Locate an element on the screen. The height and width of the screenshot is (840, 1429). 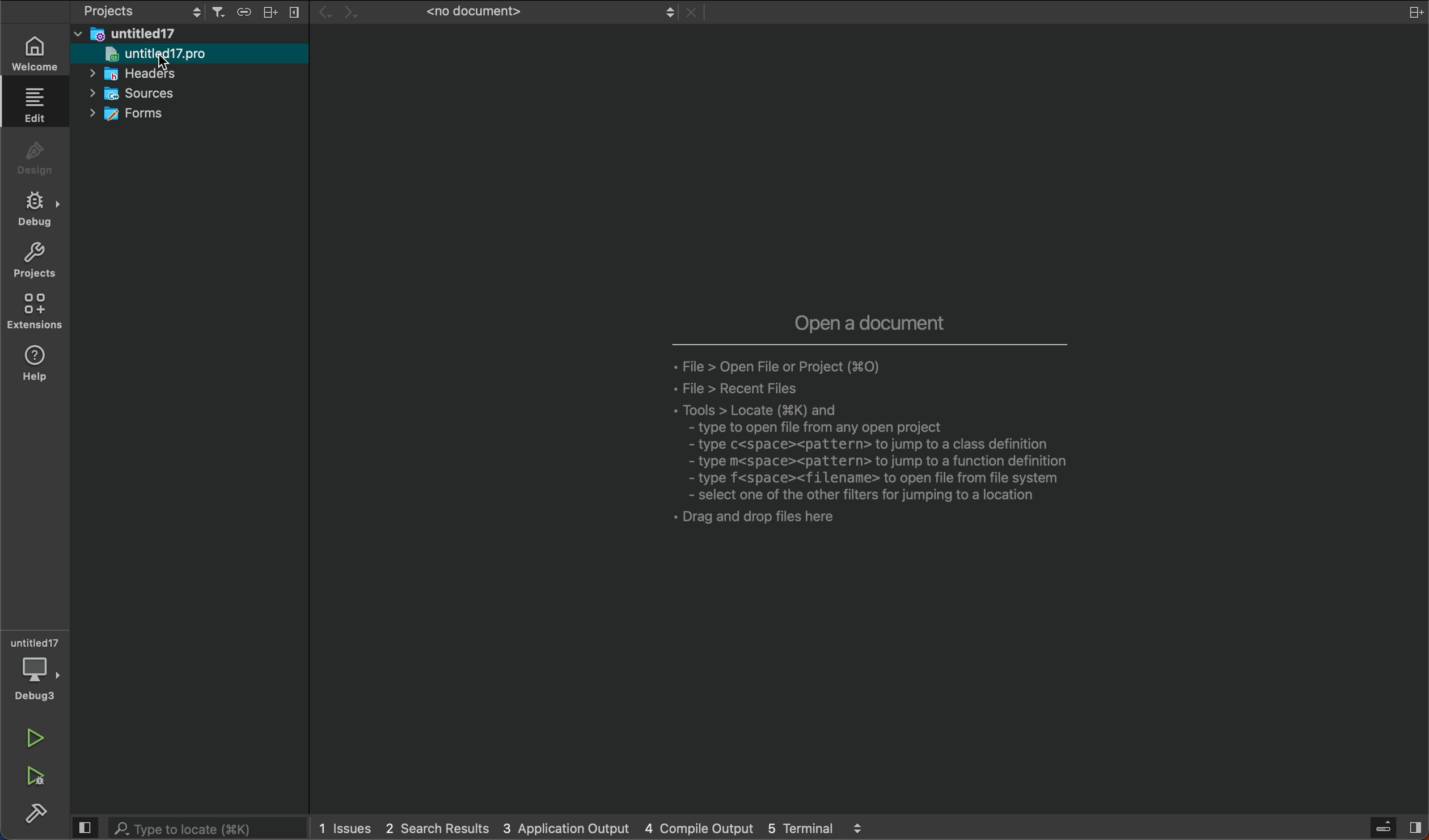
projects is located at coordinates (37, 259).